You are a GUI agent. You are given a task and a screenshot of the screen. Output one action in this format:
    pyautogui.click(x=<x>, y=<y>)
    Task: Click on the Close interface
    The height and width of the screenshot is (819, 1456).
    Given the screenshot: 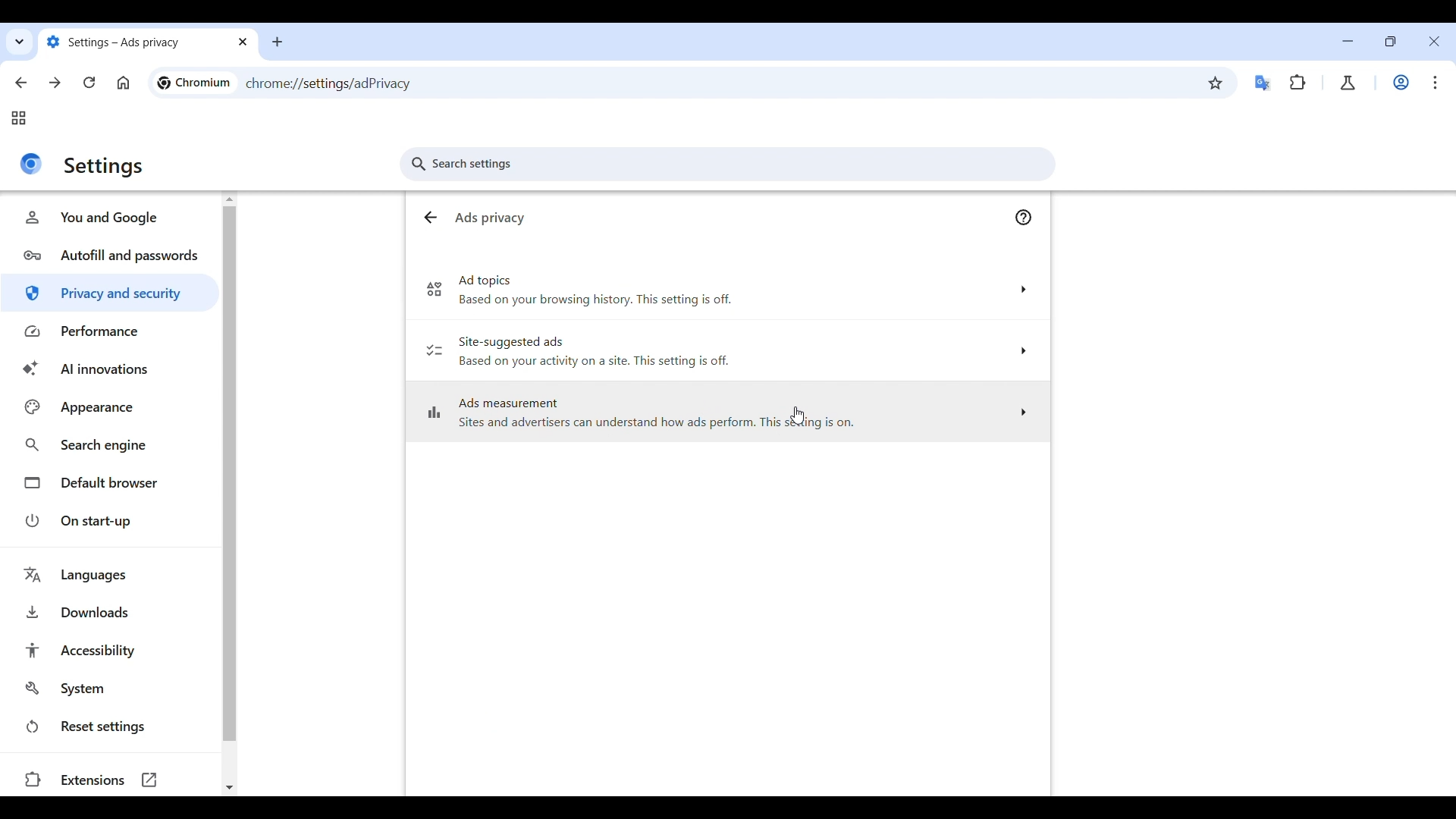 What is the action you would take?
    pyautogui.click(x=1435, y=41)
    